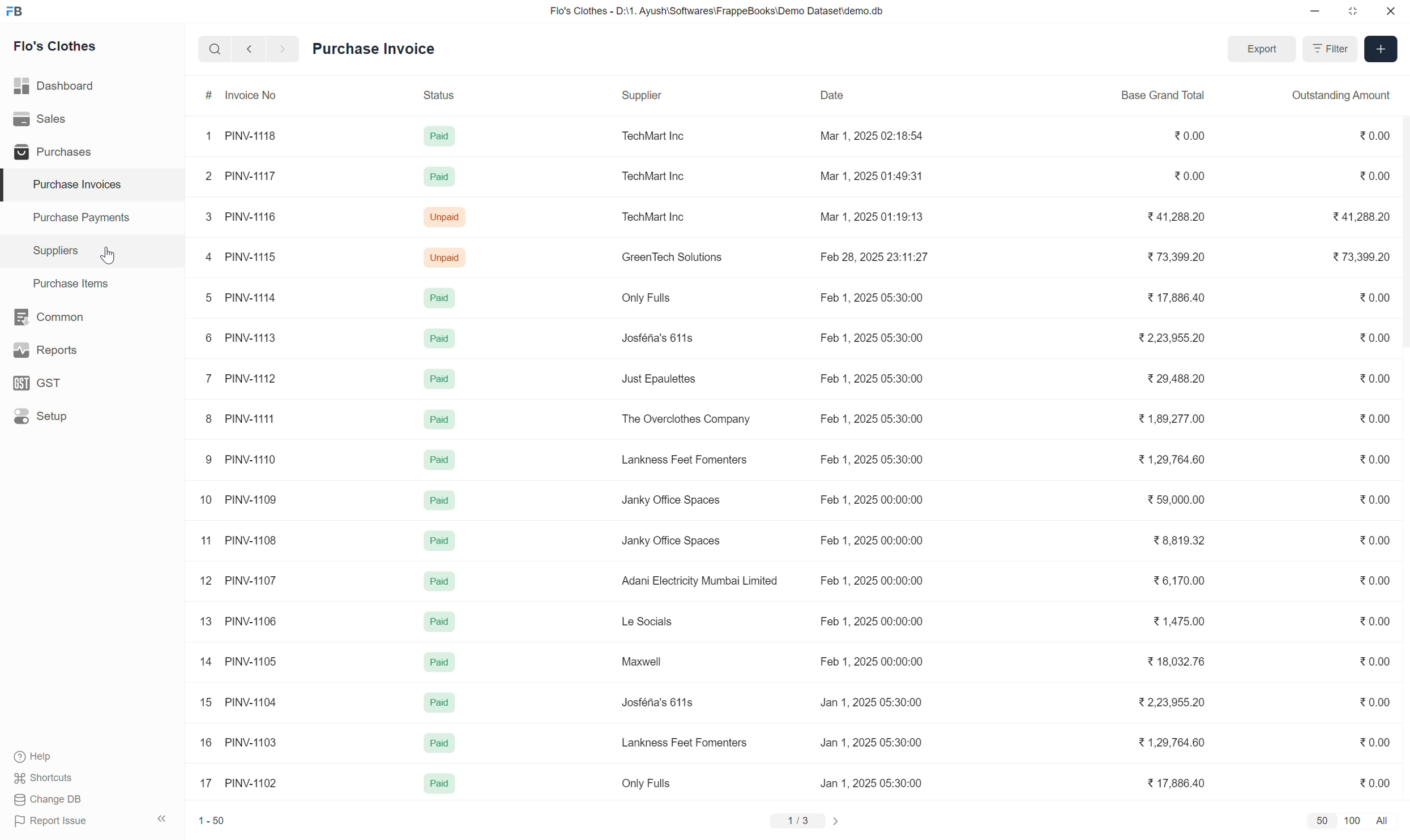 Image resolution: width=1410 pixels, height=840 pixels. I want to click on Only Fulls, so click(642, 785).